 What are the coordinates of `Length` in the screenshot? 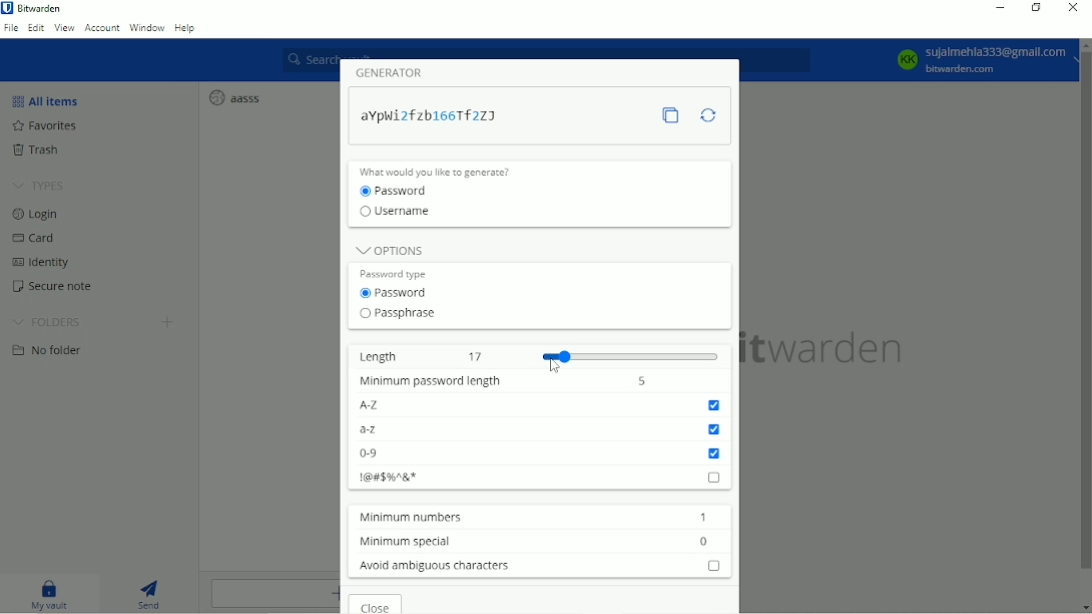 It's located at (377, 355).